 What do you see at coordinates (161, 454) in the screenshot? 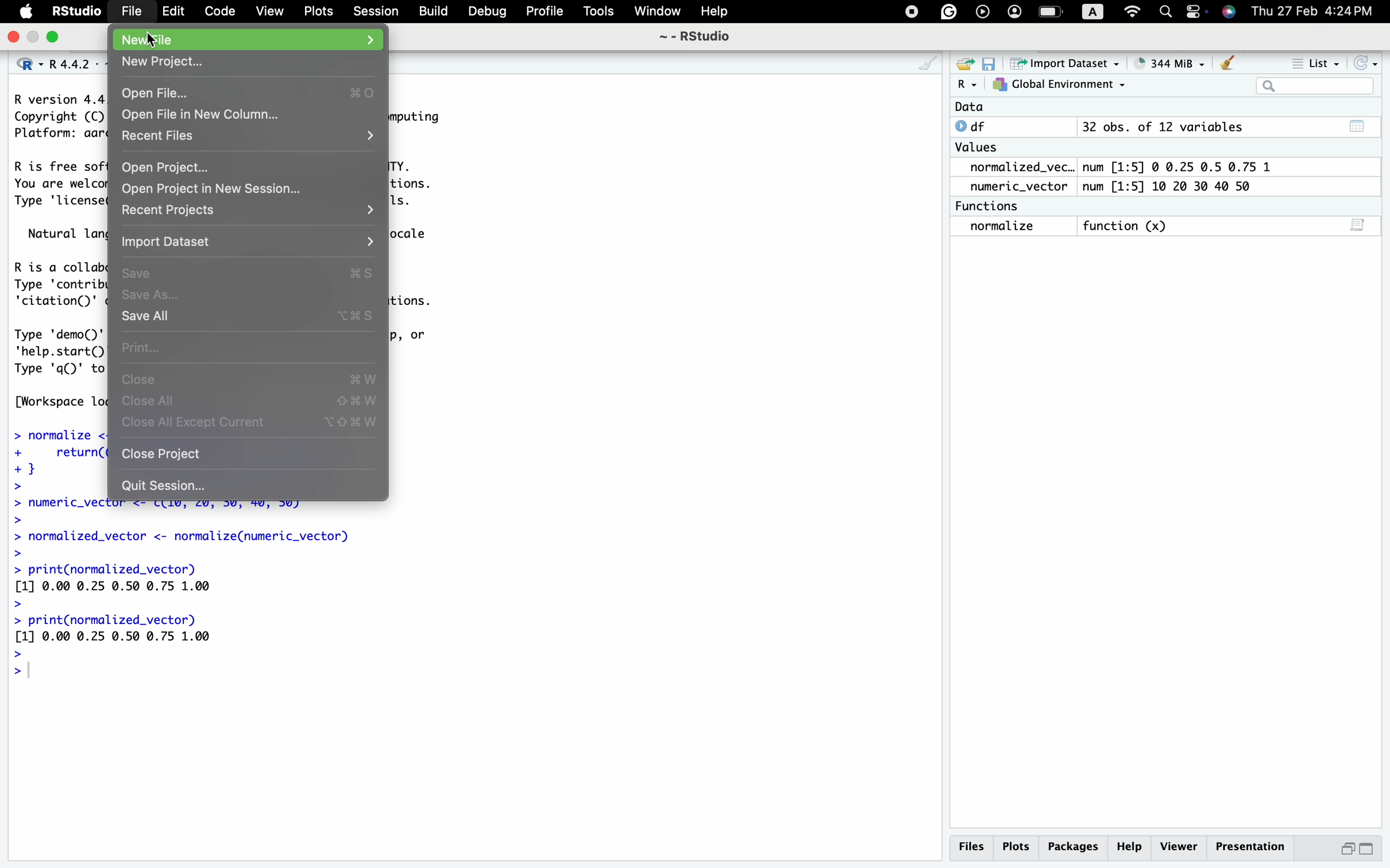
I see `Close project` at bounding box center [161, 454].